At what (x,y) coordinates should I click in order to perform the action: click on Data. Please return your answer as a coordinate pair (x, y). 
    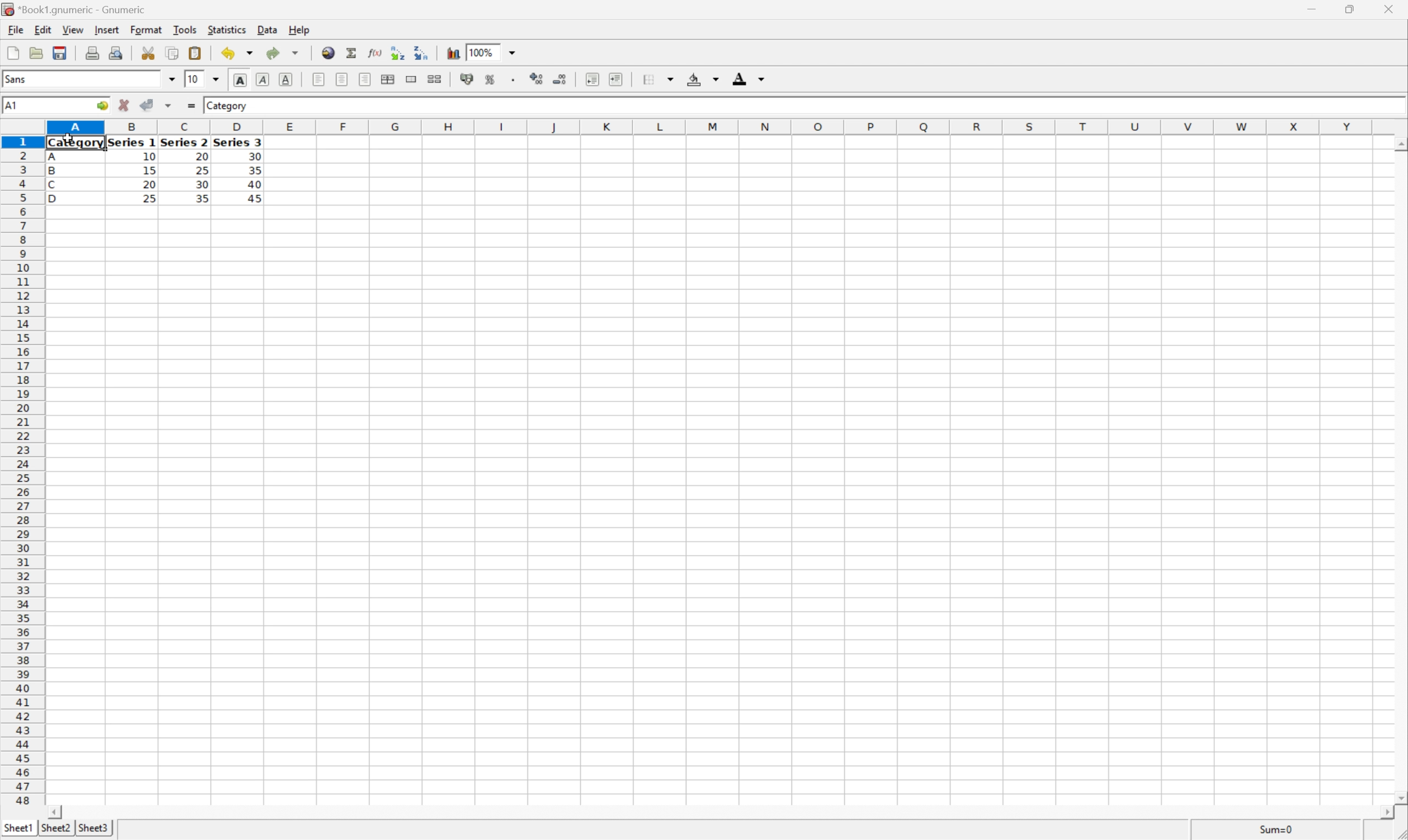
    Looking at the image, I should click on (268, 28).